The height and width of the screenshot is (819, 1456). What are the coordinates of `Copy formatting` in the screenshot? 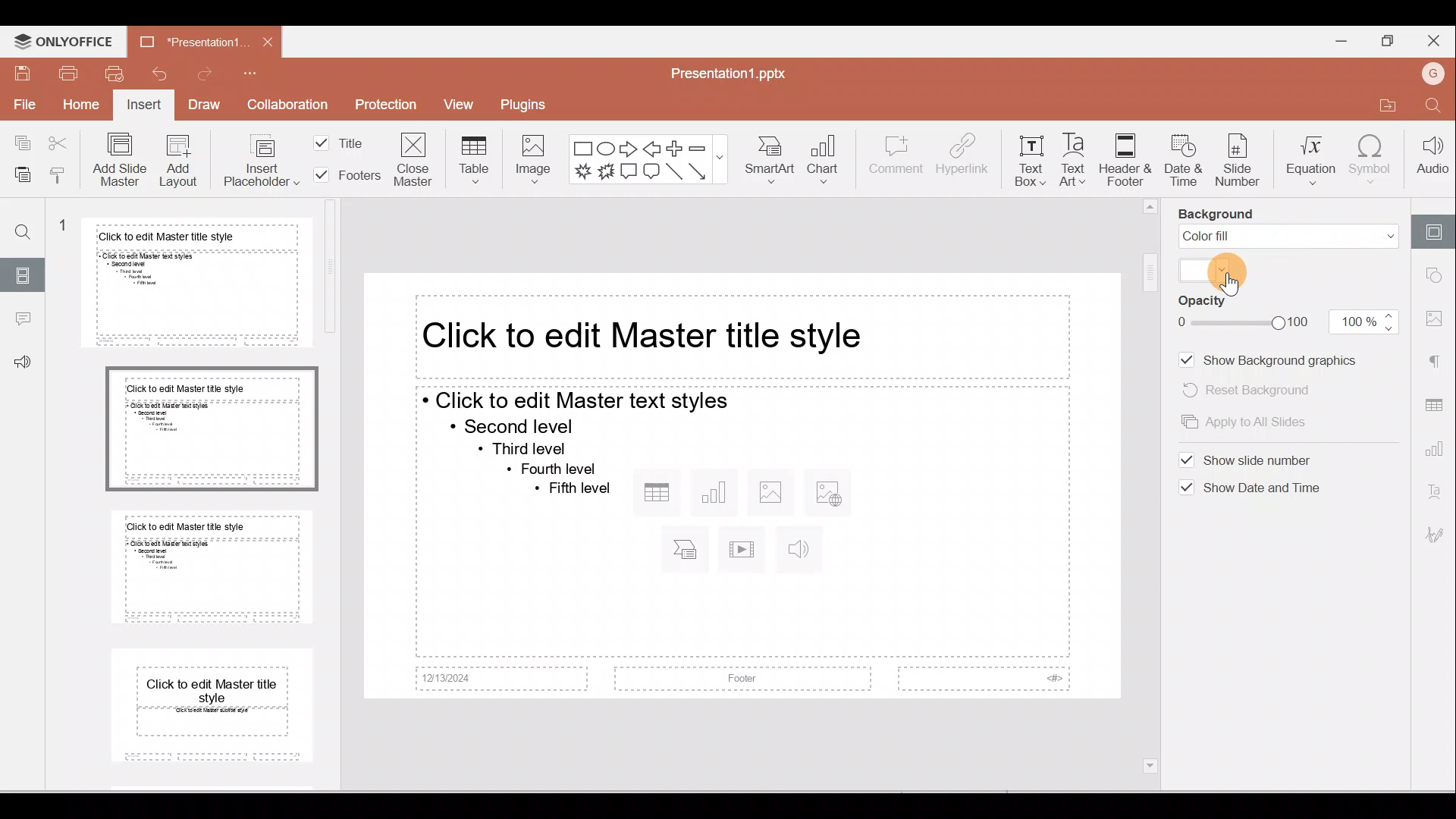 It's located at (58, 172).